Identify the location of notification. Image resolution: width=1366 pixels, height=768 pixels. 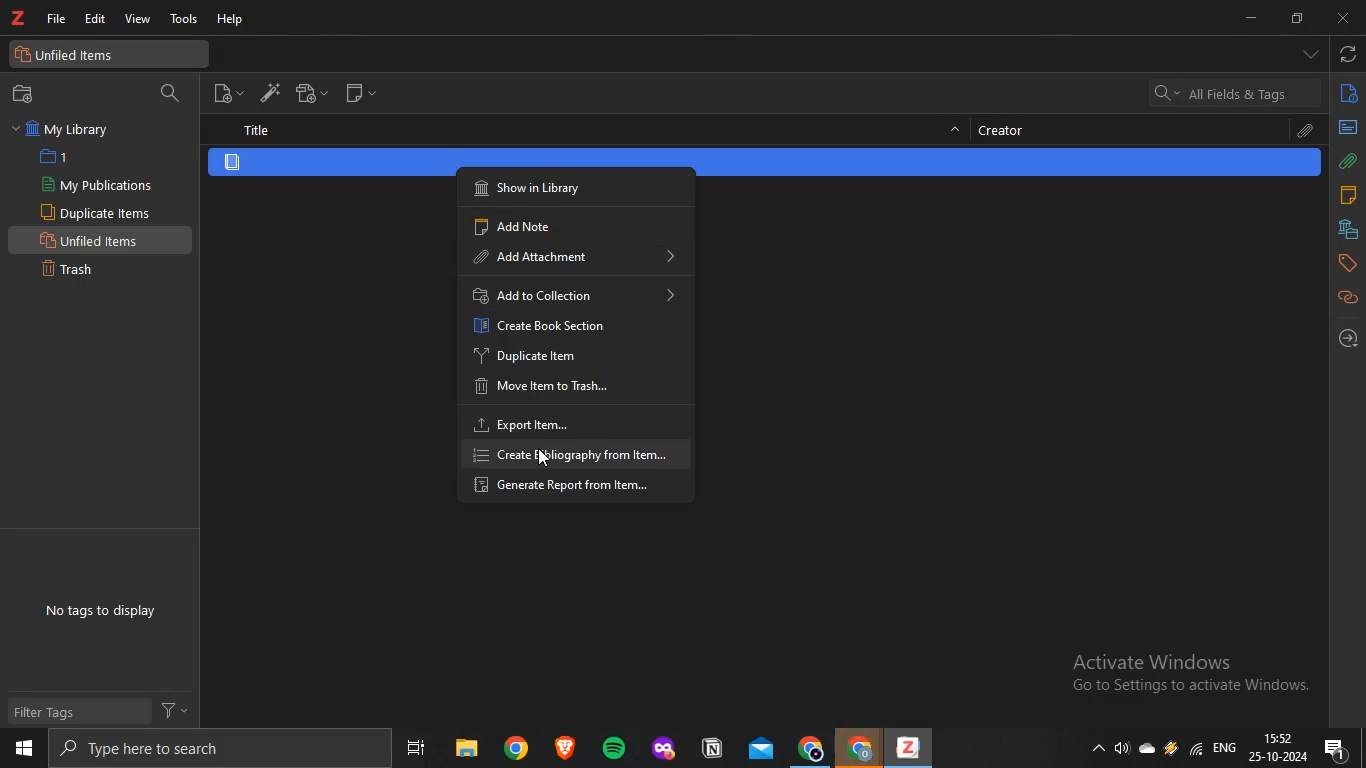
(1337, 748).